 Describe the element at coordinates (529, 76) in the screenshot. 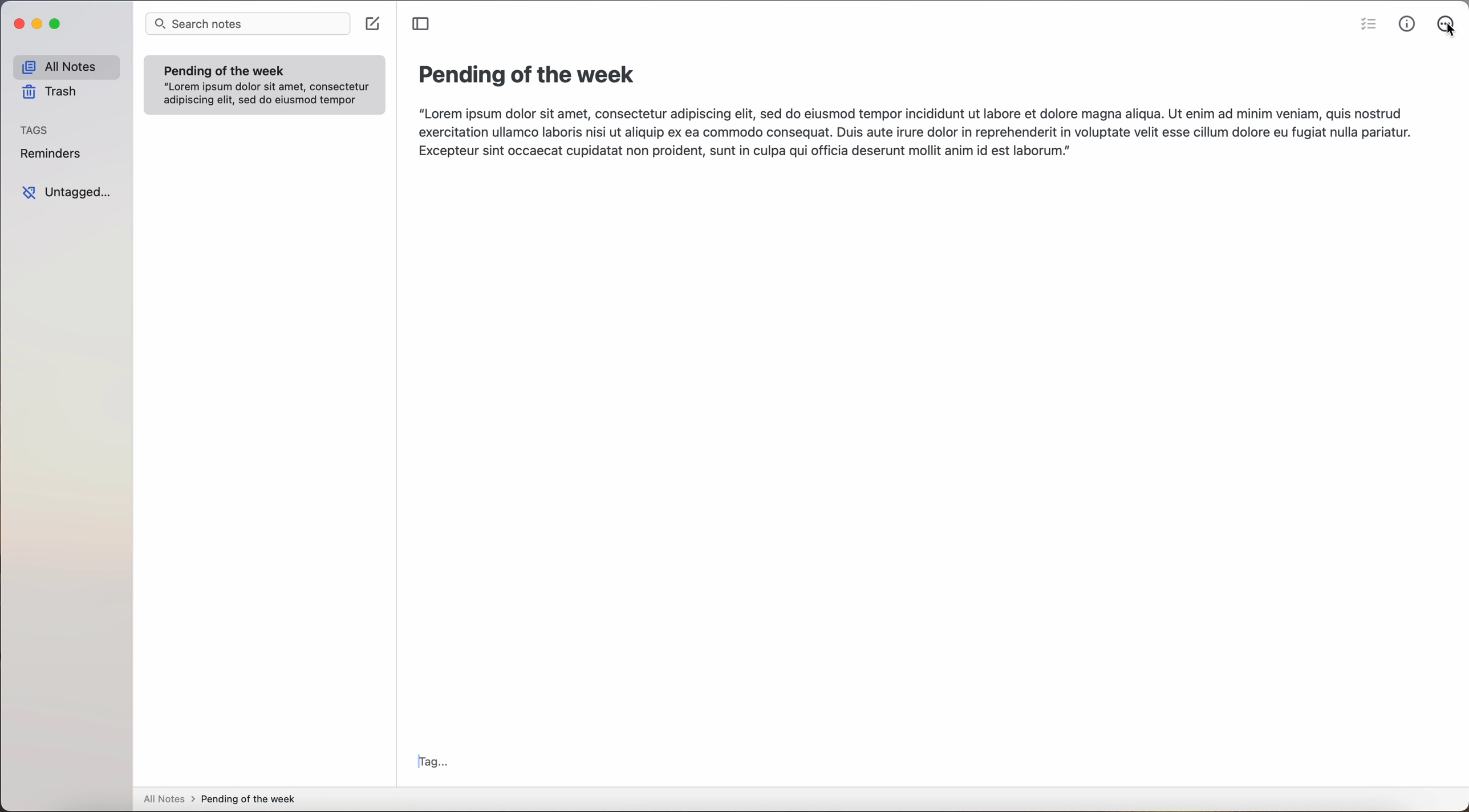

I see `title: Pending of the week` at that location.